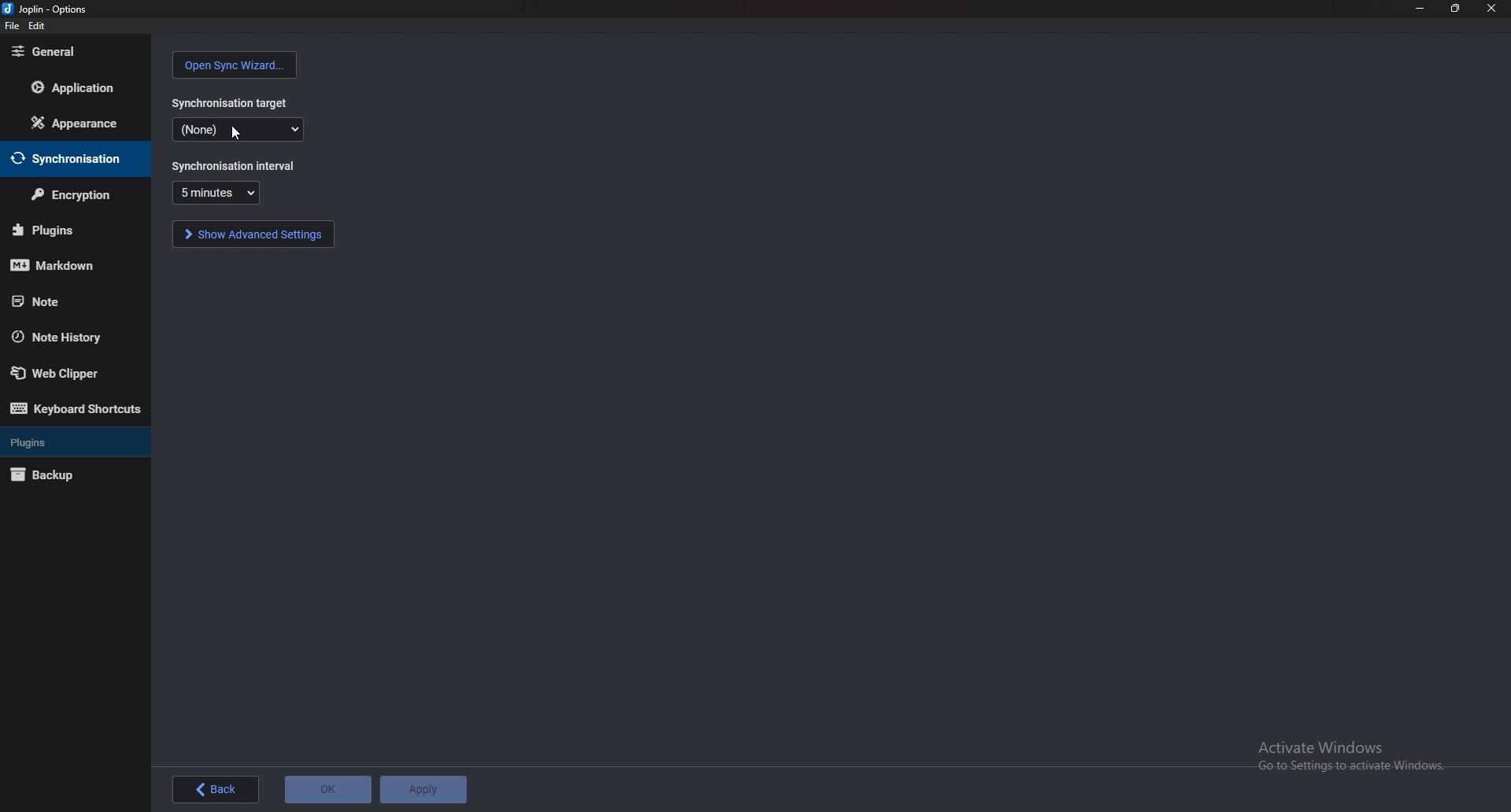 The width and height of the screenshot is (1511, 812). Describe the element at coordinates (1457, 9) in the screenshot. I see `Resize` at that location.